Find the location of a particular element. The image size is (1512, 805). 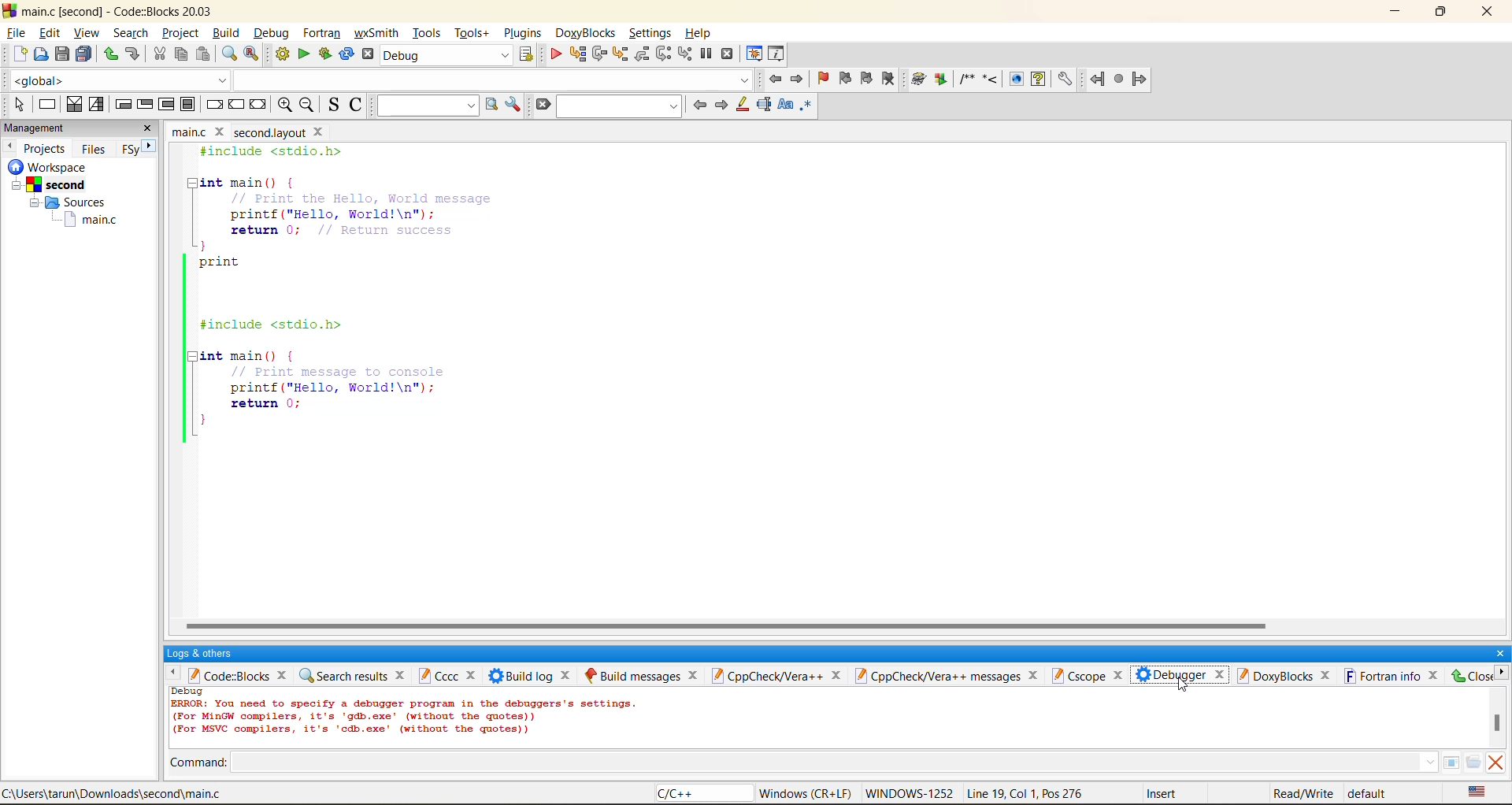

instruction is located at coordinates (47, 106).